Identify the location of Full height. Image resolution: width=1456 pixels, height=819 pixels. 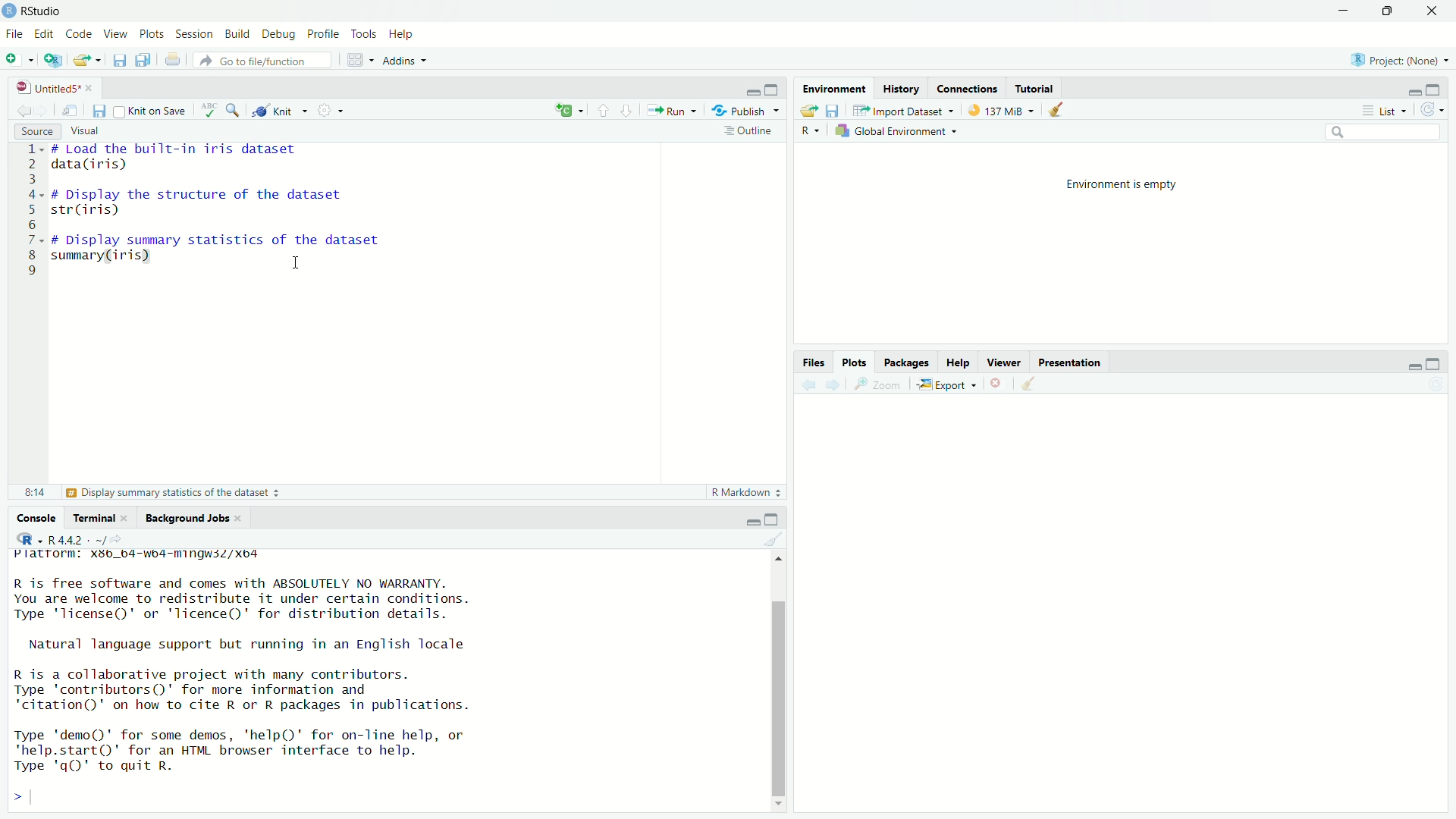
(772, 89).